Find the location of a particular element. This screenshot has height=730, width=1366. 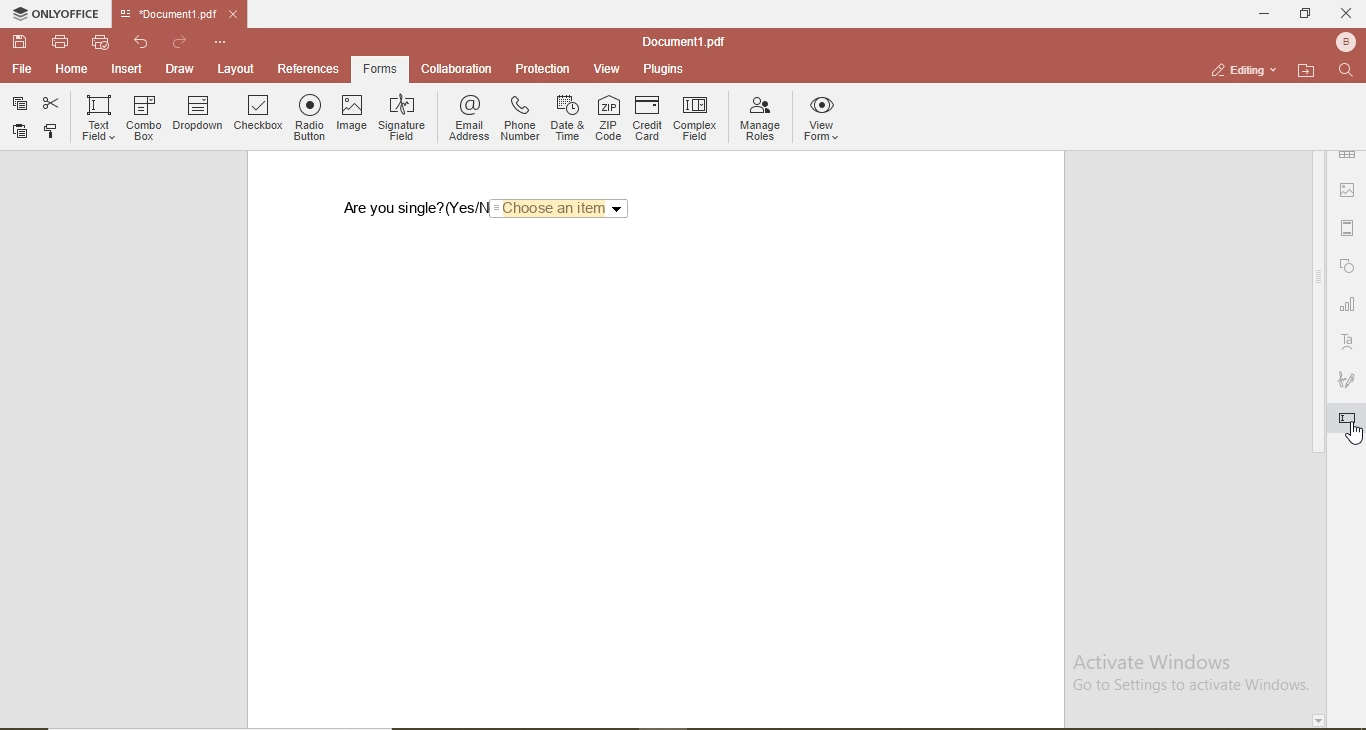

shape is located at coordinates (1351, 269).